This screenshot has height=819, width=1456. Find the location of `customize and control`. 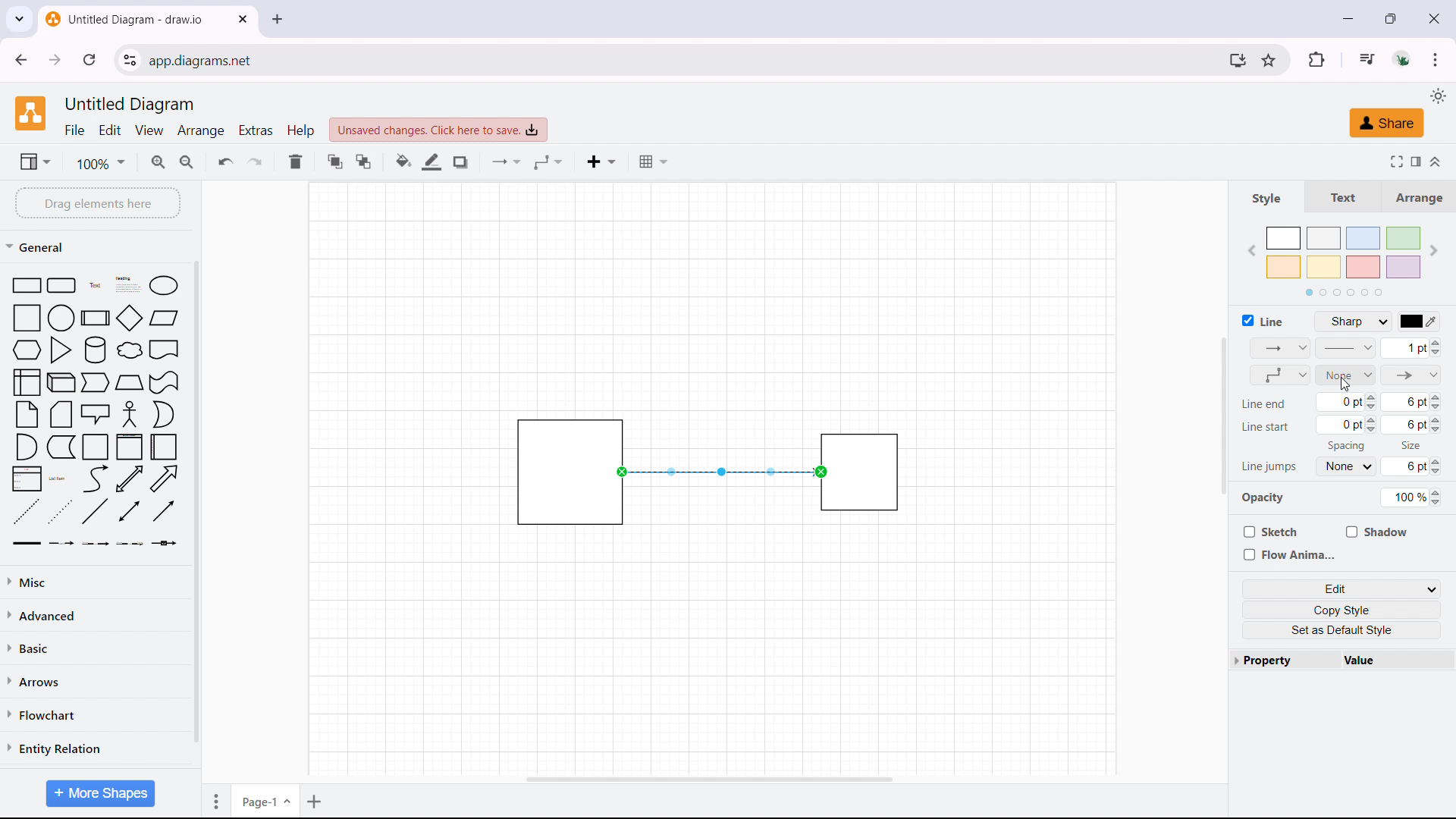

customize and control is located at coordinates (1436, 59).